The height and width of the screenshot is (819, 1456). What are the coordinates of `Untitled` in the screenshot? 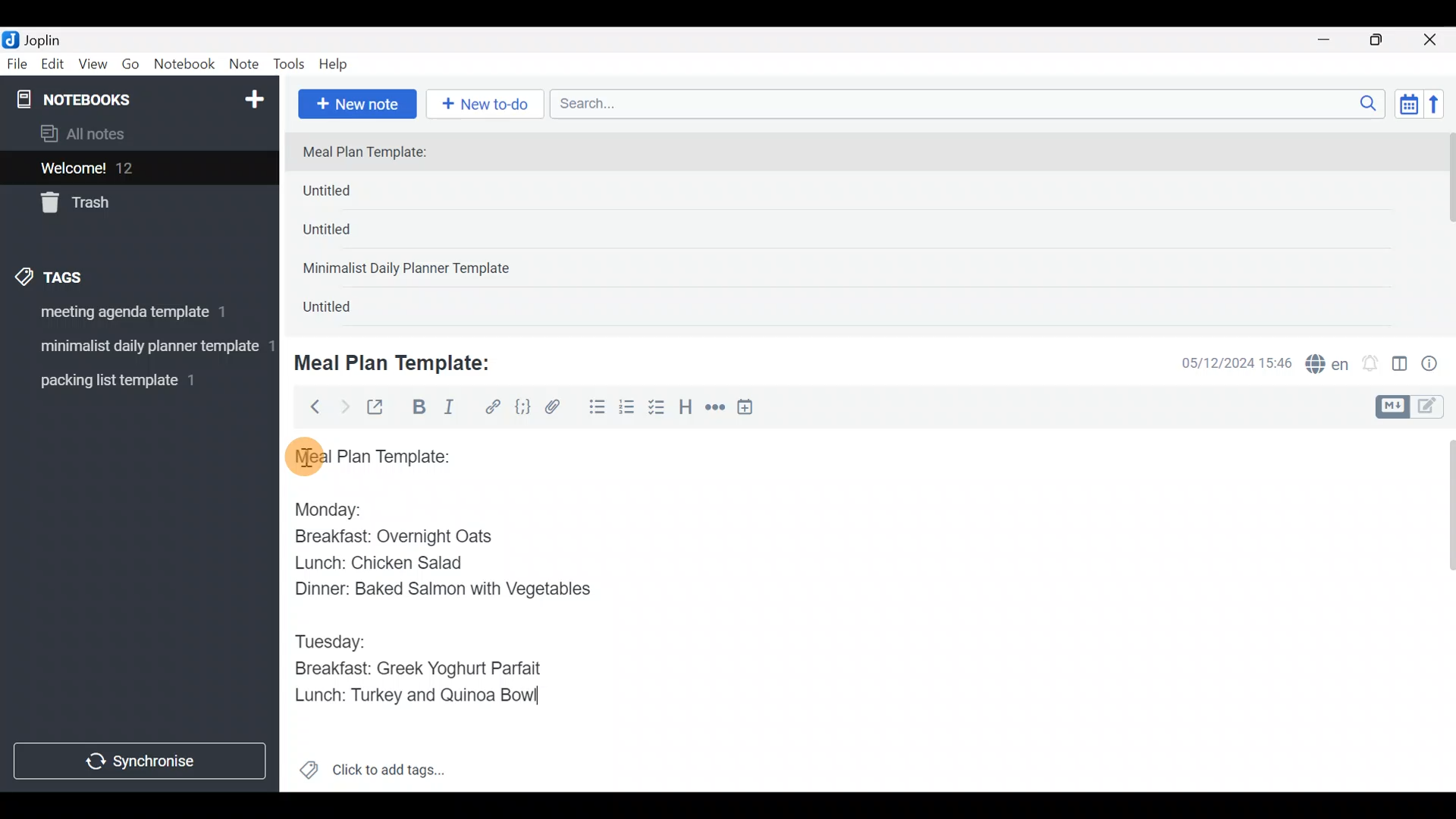 It's located at (344, 310).